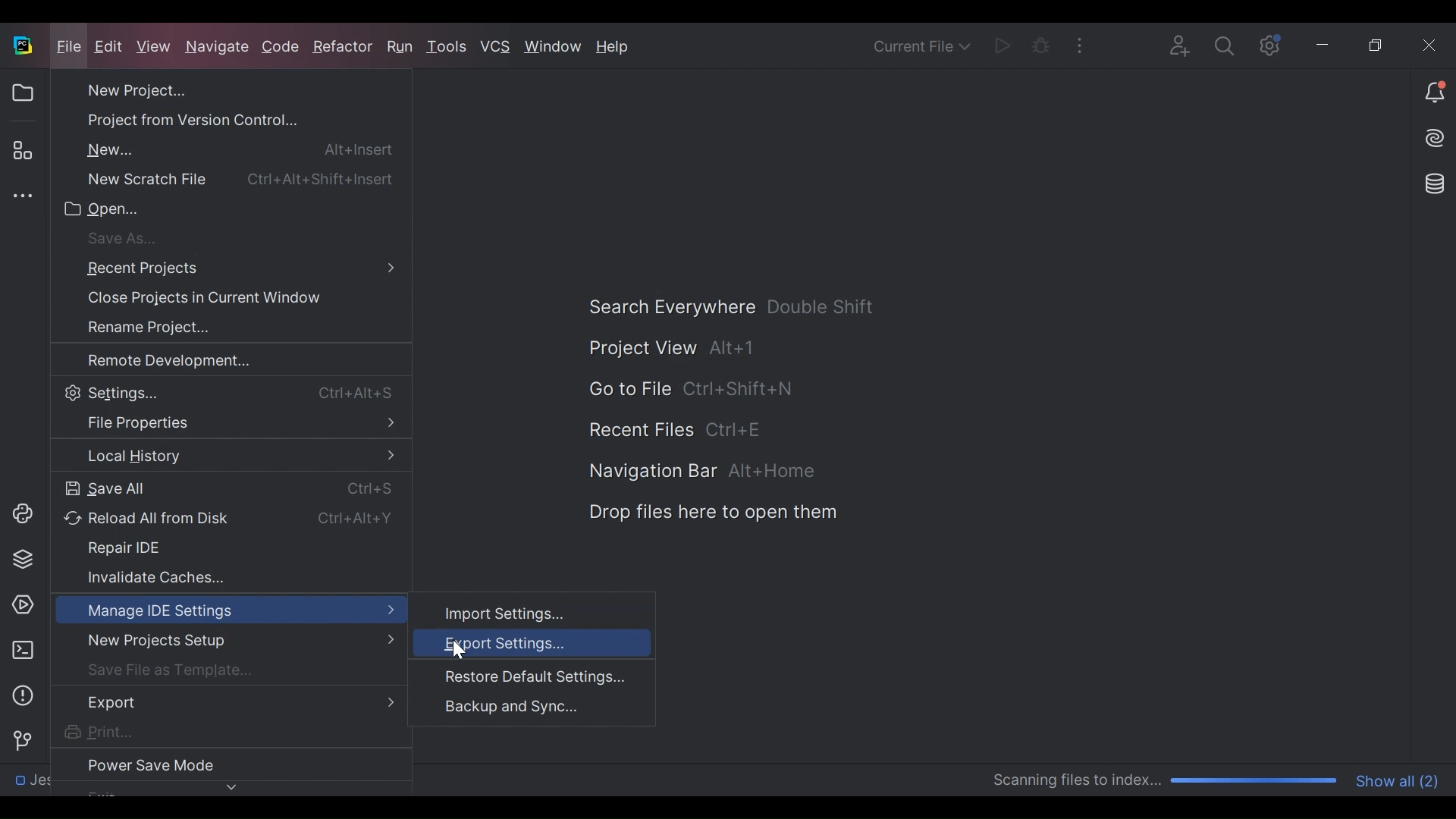  What do you see at coordinates (111, 48) in the screenshot?
I see `Edit` at bounding box center [111, 48].